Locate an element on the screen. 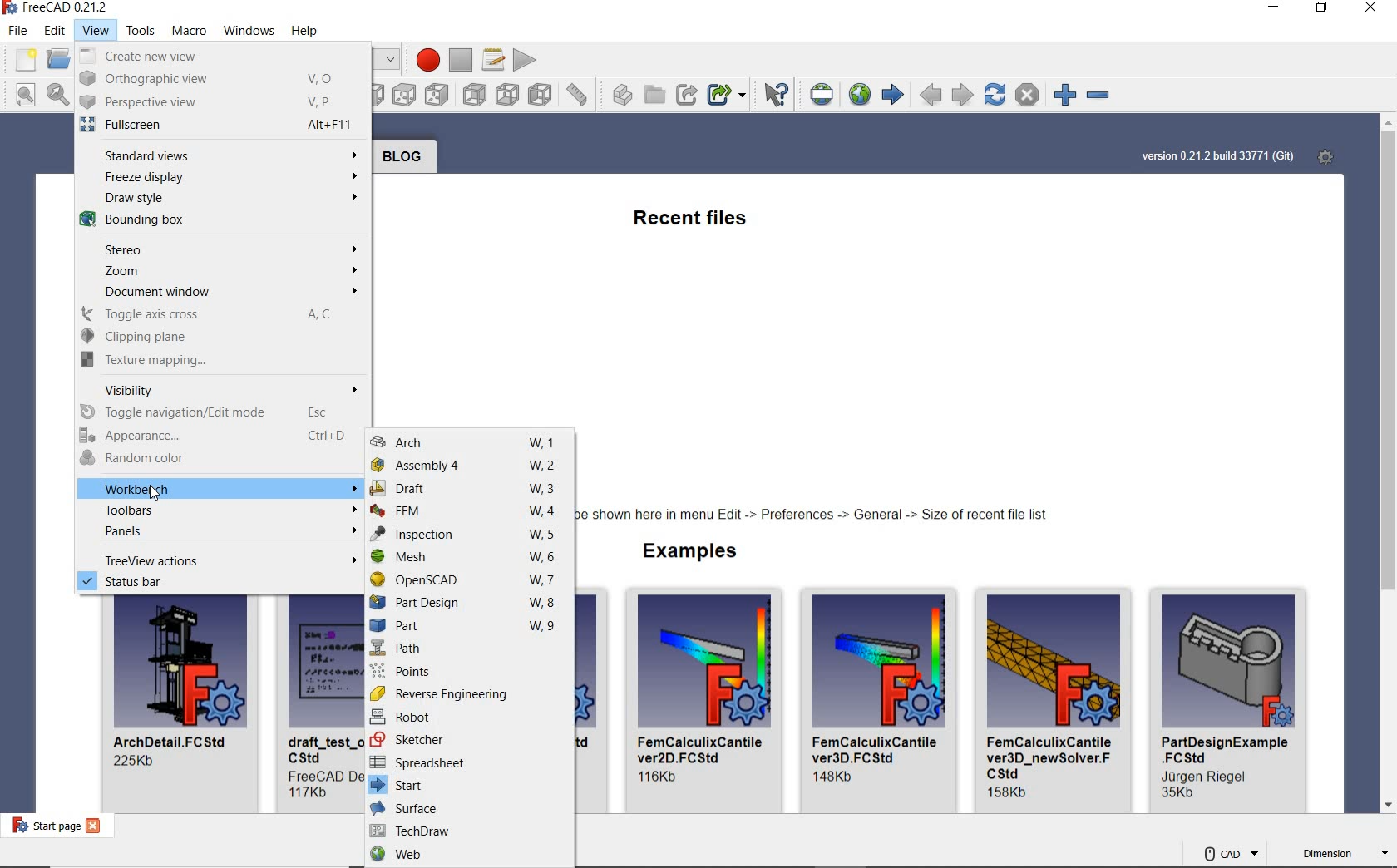 This screenshot has width=1397, height=868. draft is located at coordinates (468, 489).